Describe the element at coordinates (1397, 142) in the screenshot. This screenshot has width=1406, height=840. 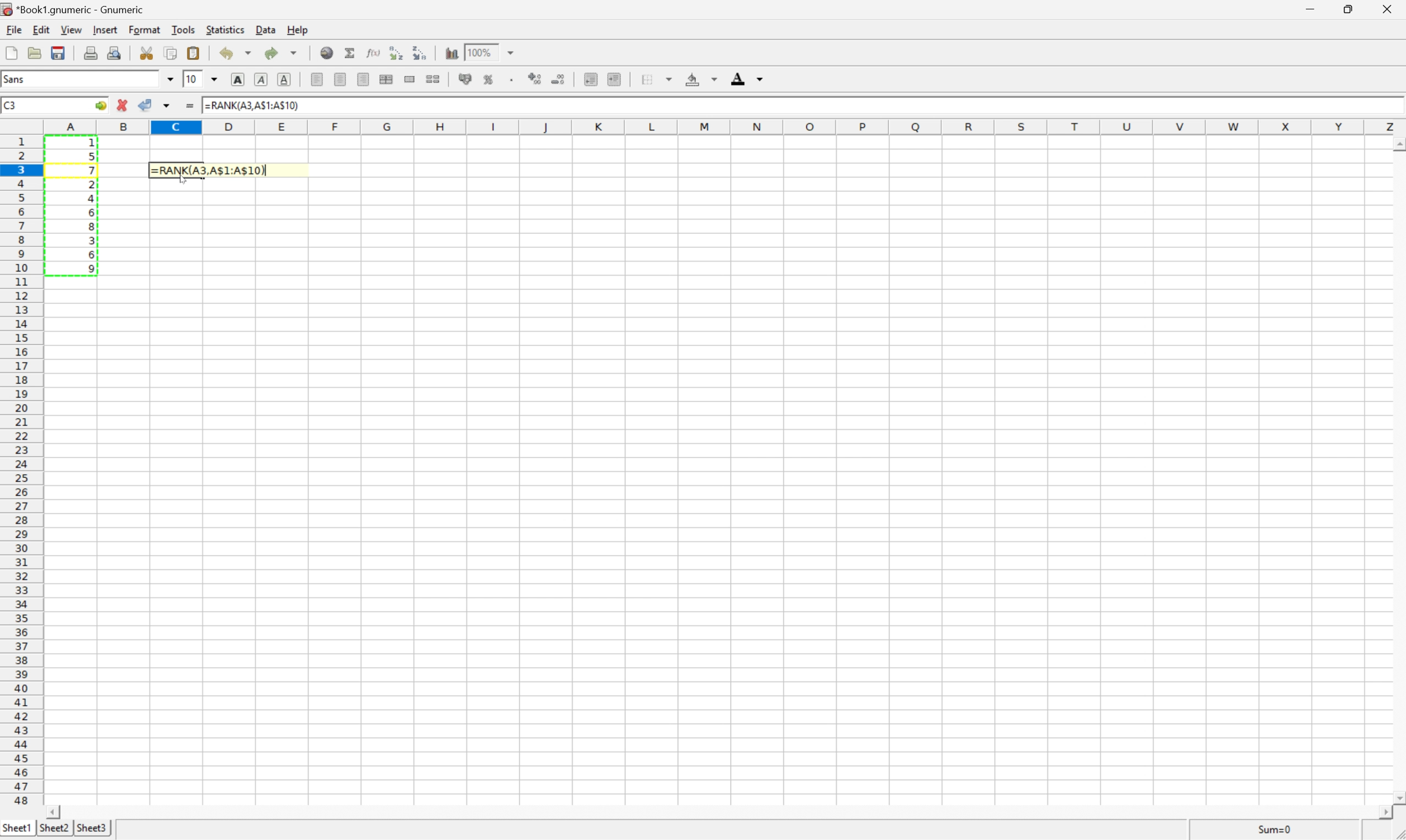
I see `scroll up` at that location.